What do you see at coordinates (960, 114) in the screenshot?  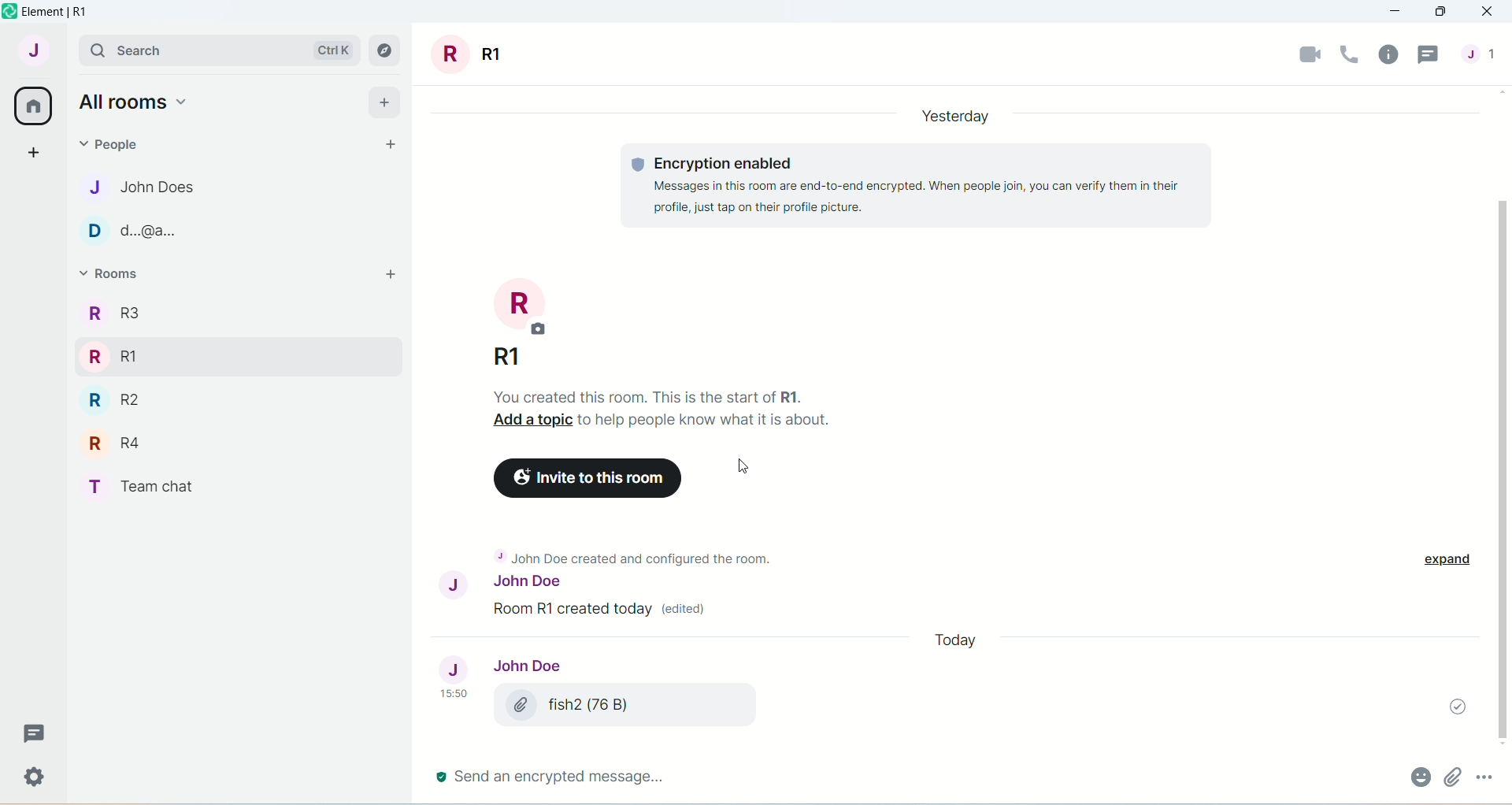 I see `Yesterday` at bounding box center [960, 114].